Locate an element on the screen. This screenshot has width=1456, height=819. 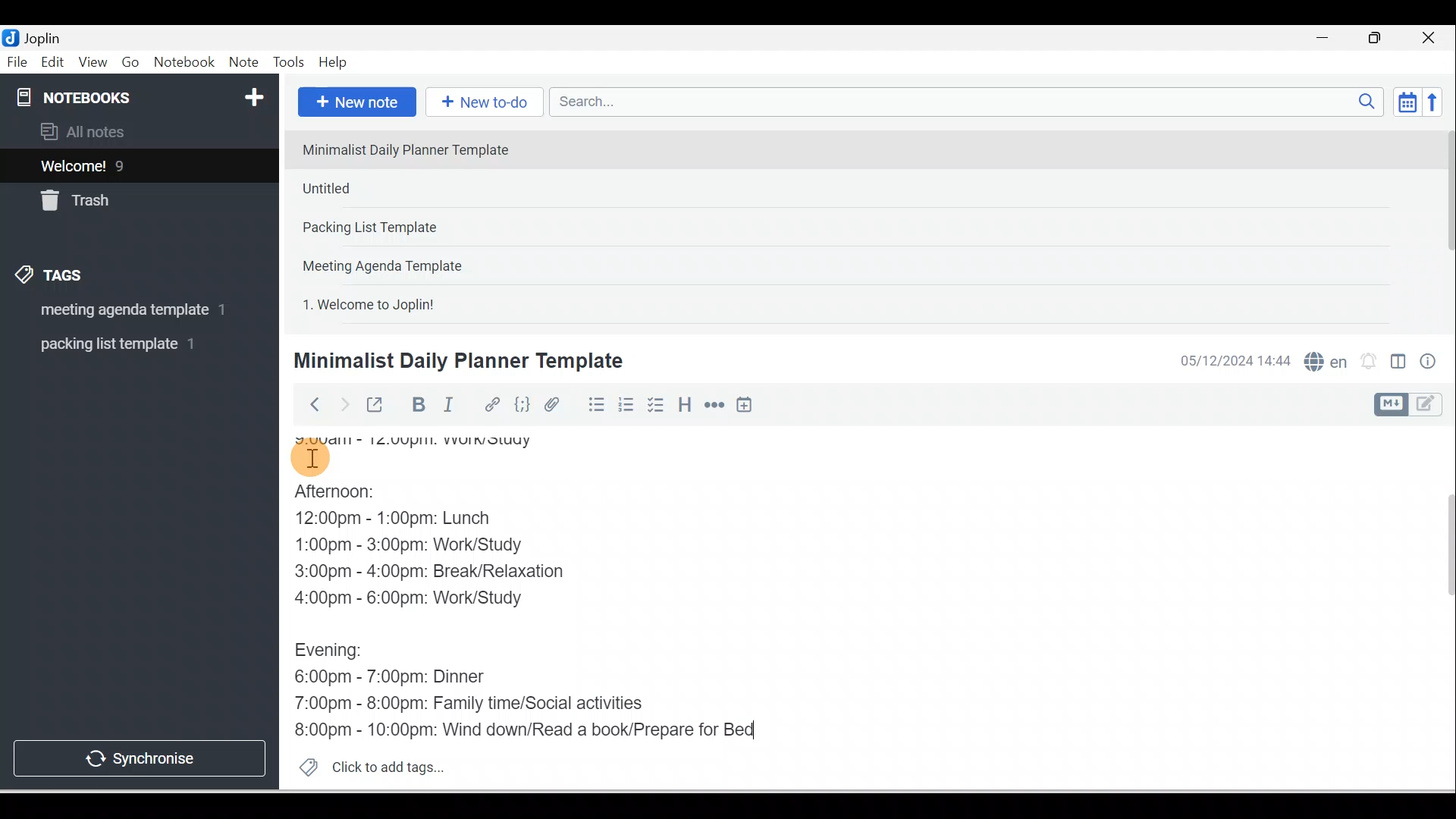
Reverse sort is located at coordinates (1437, 102).